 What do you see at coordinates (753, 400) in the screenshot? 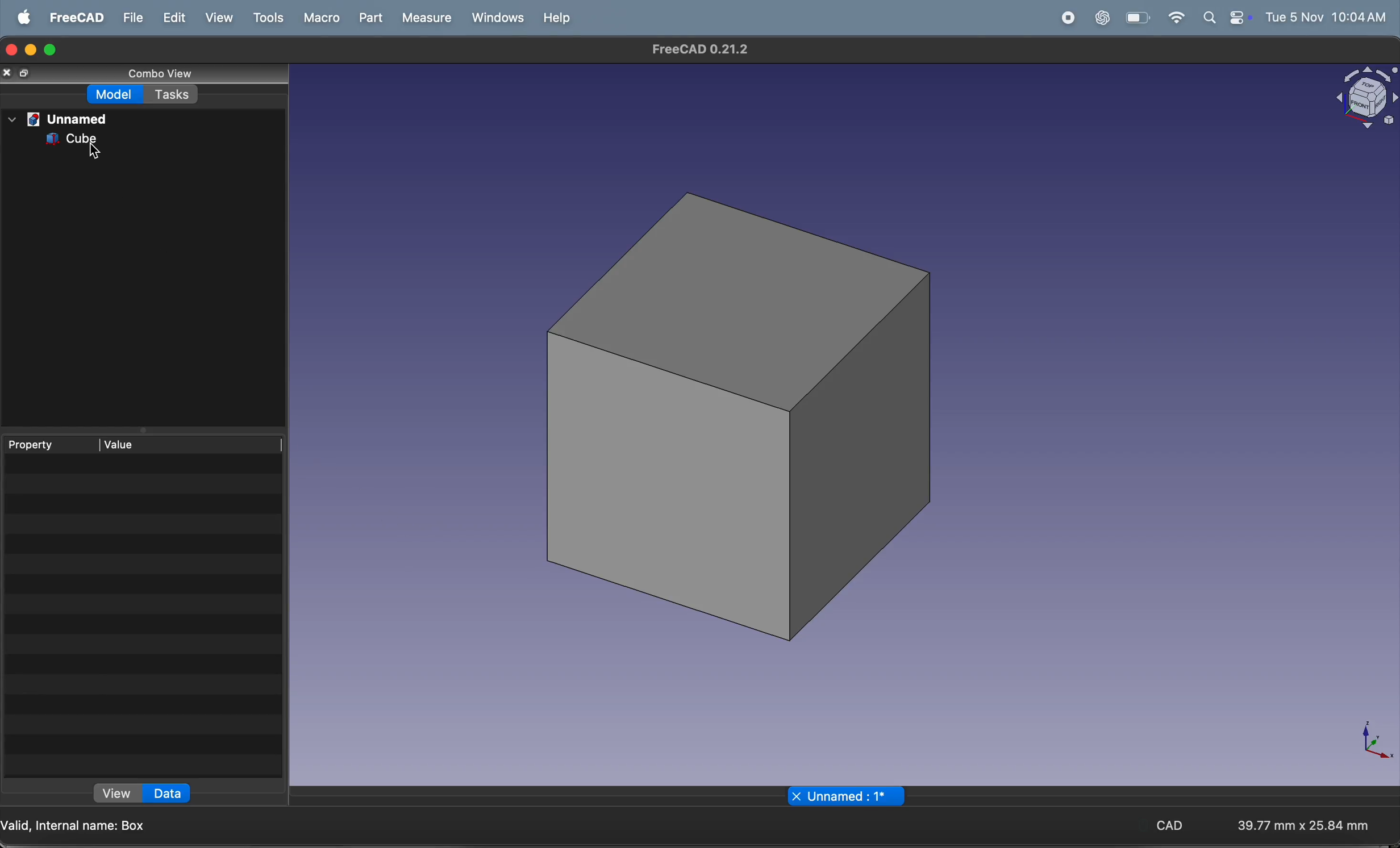
I see `3d cube` at bounding box center [753, 400].